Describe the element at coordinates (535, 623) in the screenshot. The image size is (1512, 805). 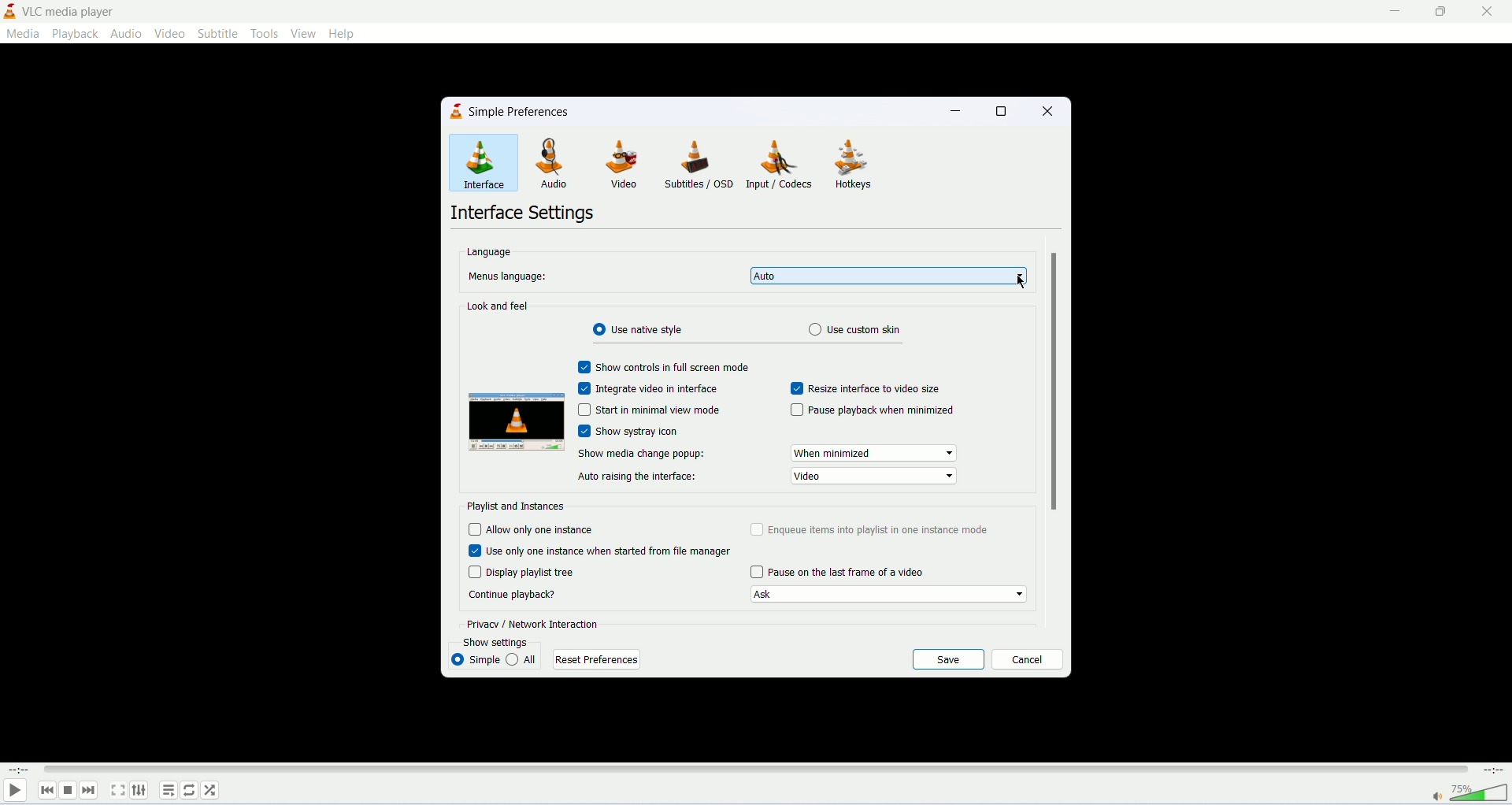
I see `privacy and network interaction` at that location.